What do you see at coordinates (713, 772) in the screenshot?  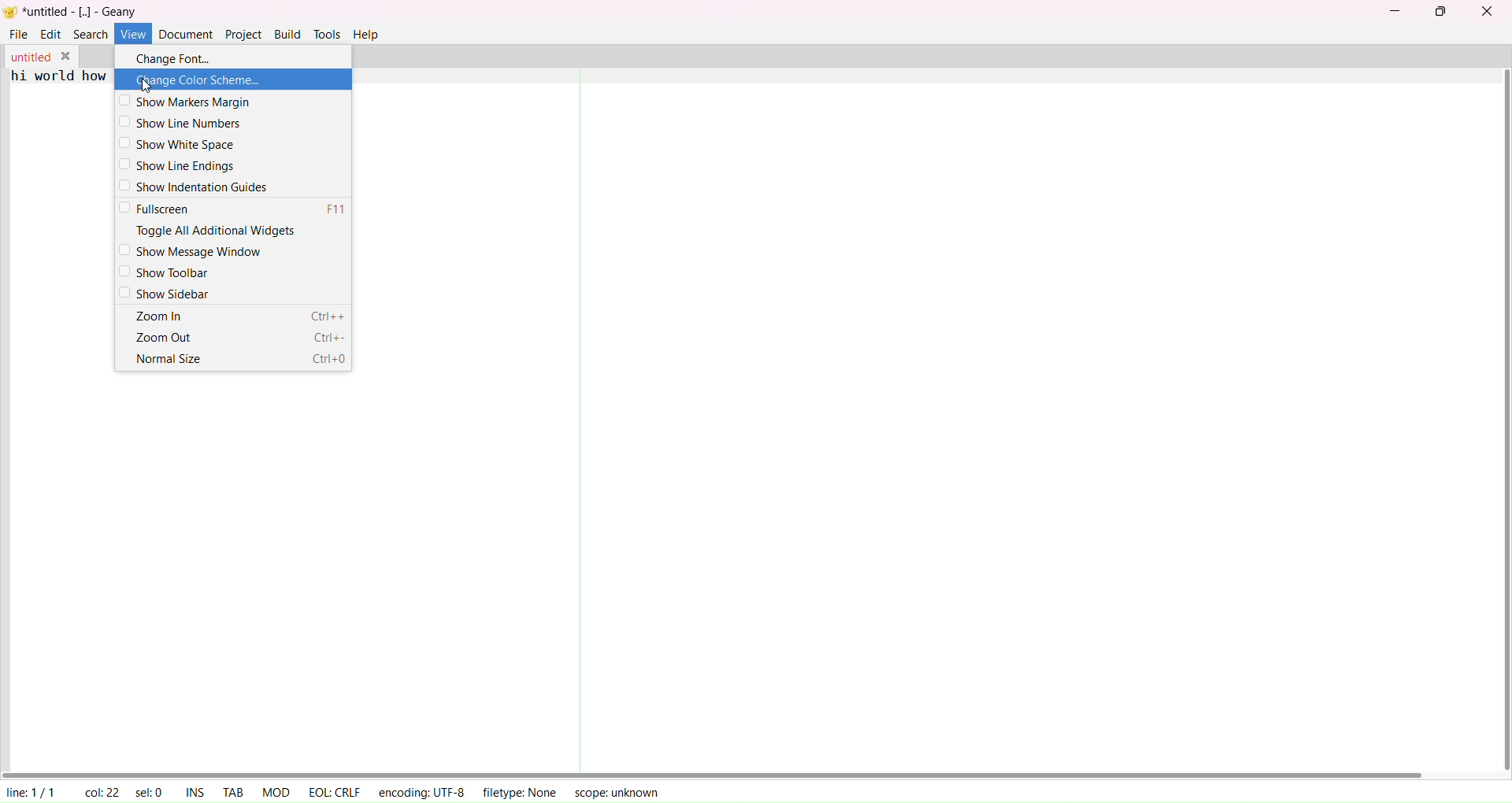 I see `horizontal scroll bar` at bounding box center [713, 772].